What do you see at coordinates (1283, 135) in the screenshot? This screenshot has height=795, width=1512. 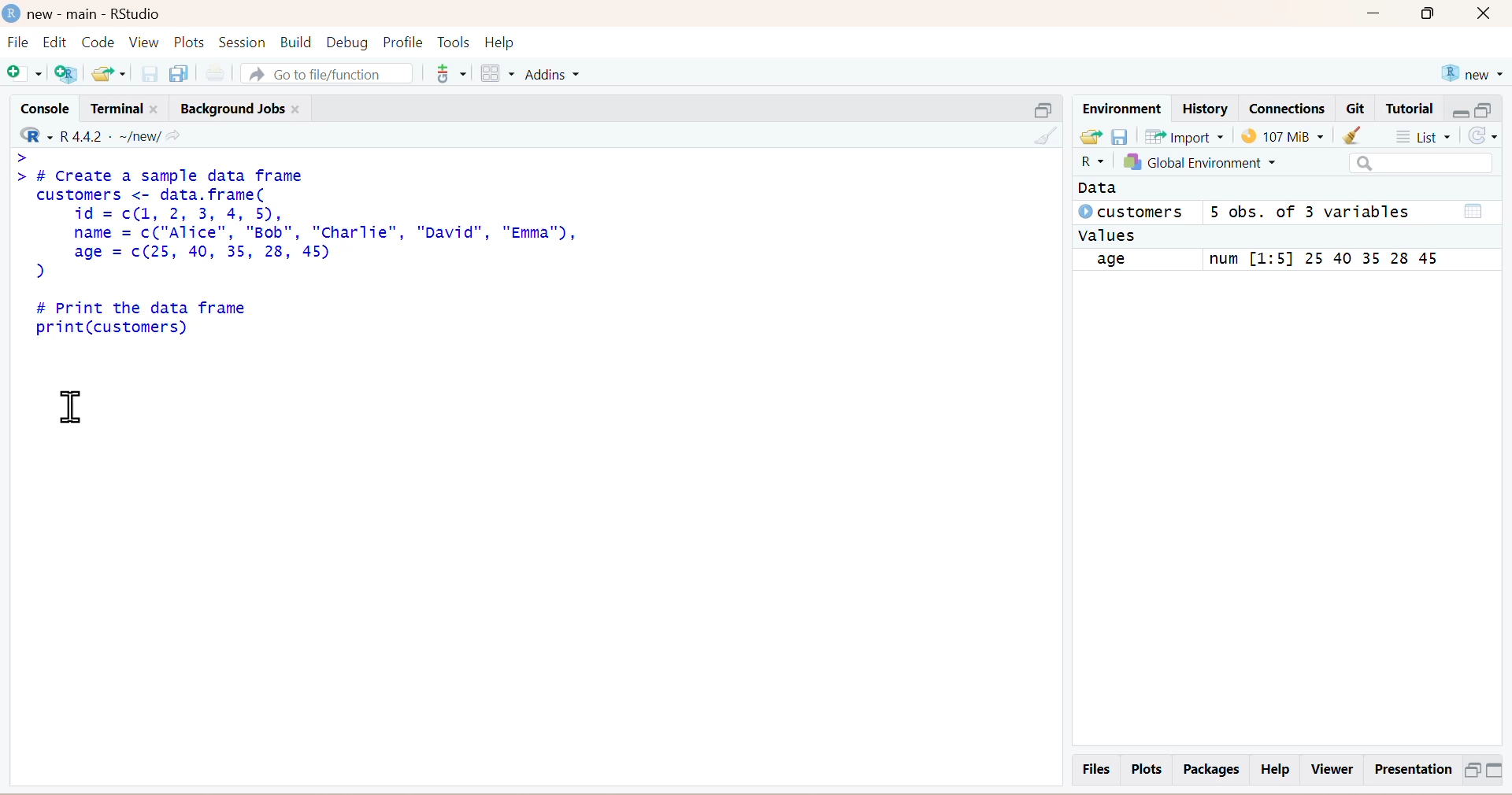 I see `107 MB` at bounding box center [1283, 135].